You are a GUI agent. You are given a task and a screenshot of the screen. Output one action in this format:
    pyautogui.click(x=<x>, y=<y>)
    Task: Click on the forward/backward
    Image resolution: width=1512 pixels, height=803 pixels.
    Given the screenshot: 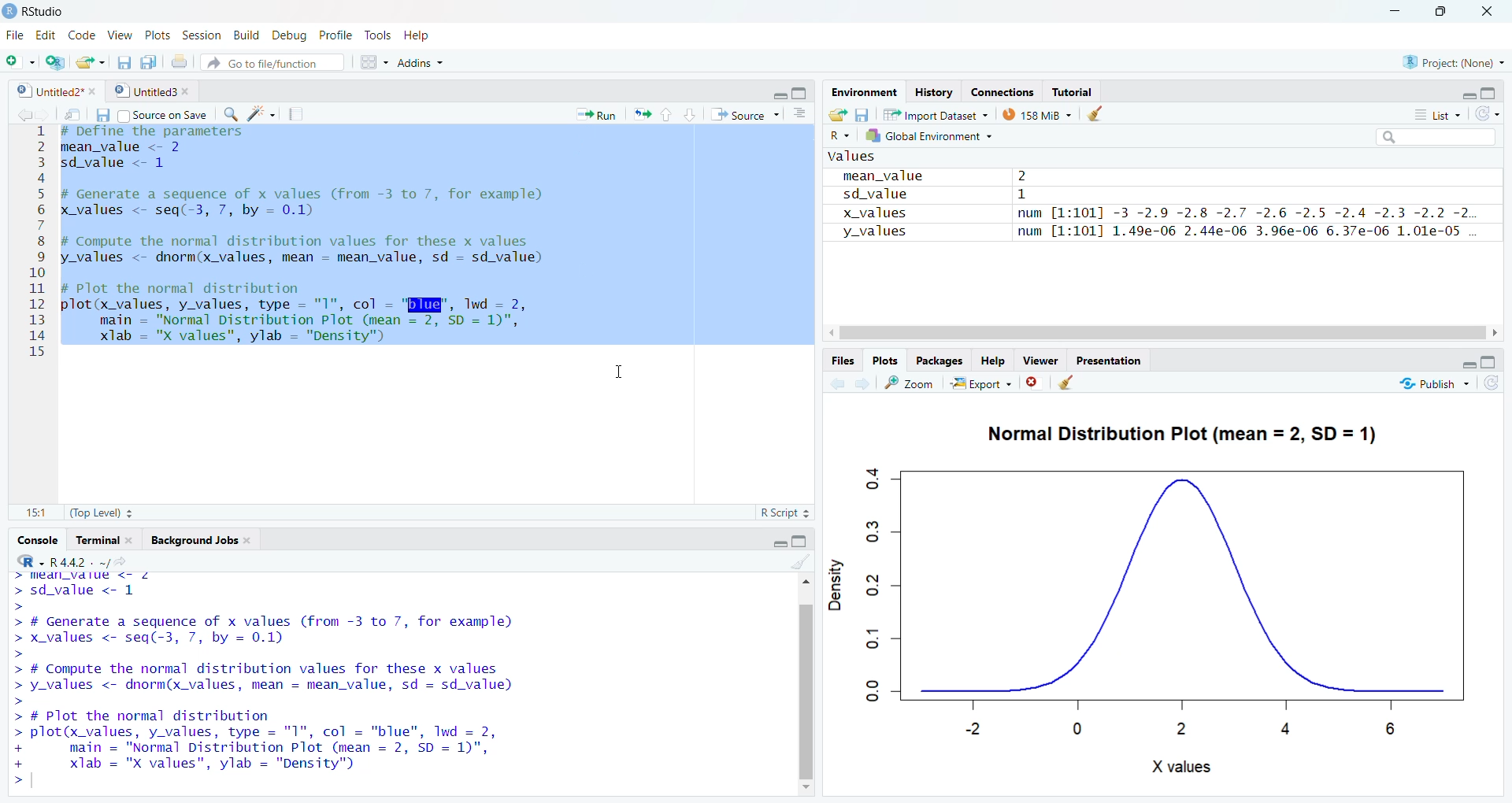 What is the action you would take?
    pyautogui.click(x=28, y=114)
    